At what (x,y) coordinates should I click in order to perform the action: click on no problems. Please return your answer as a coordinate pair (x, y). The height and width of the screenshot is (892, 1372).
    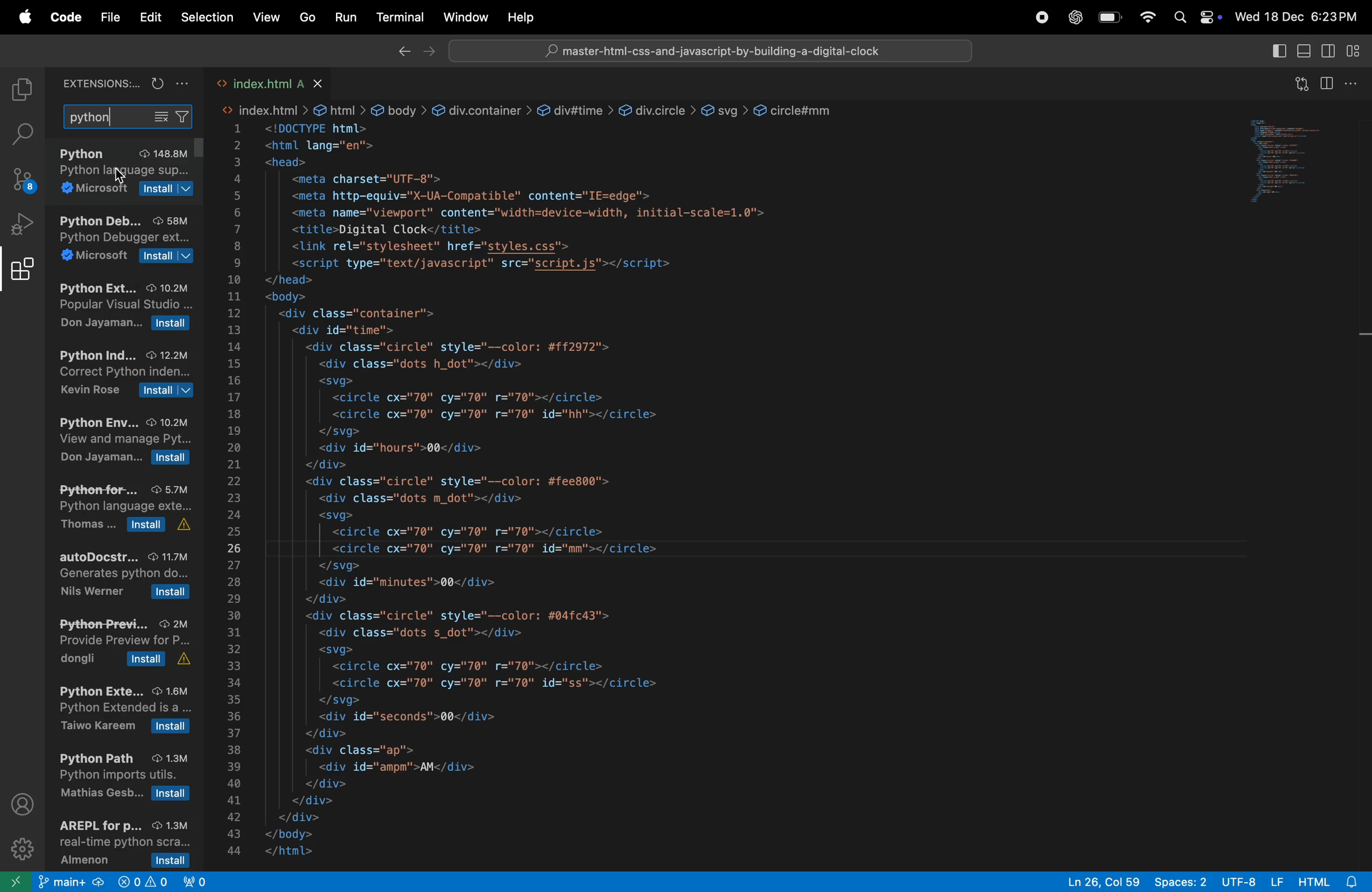
    Looking at the image, I should click on (141, 883).